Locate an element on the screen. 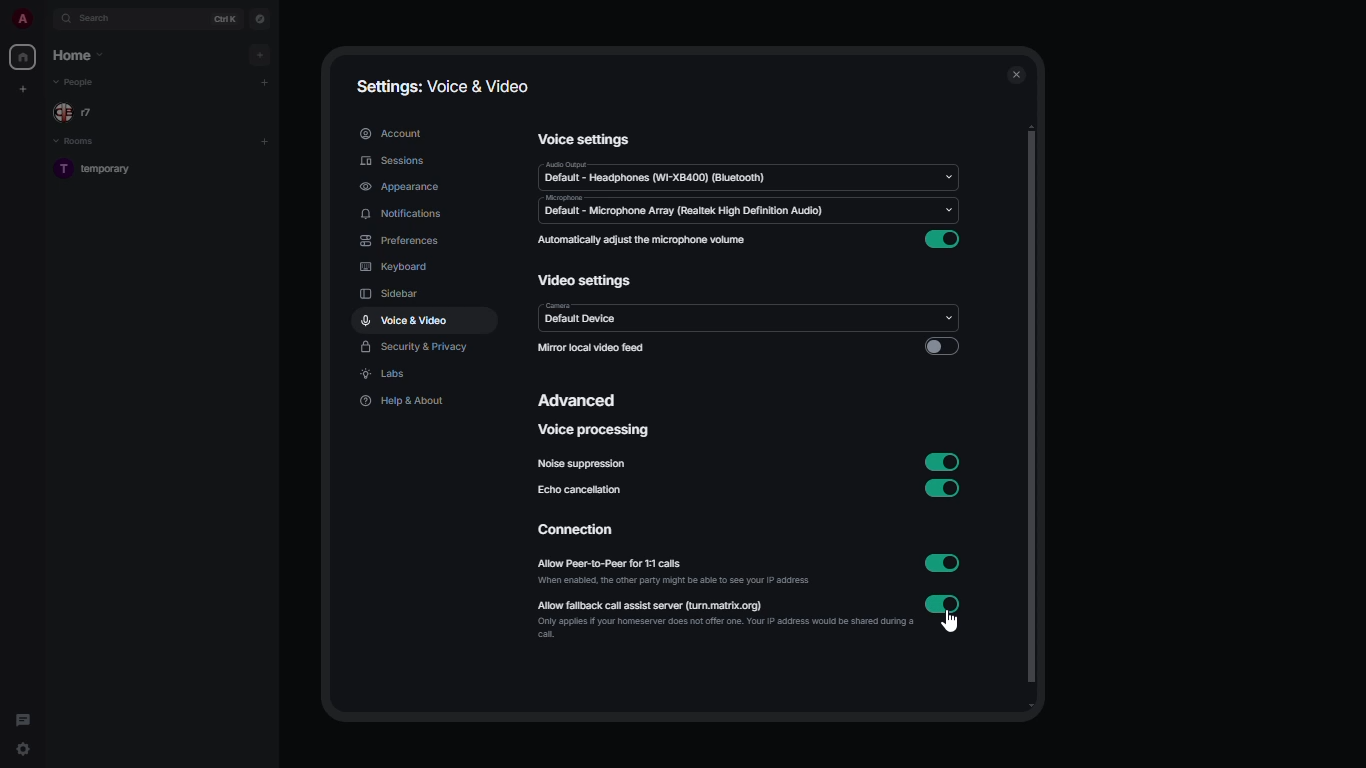 Image resolution: width=1366 pixels, height=768 pixels. people is located at coordinates (83, 83).